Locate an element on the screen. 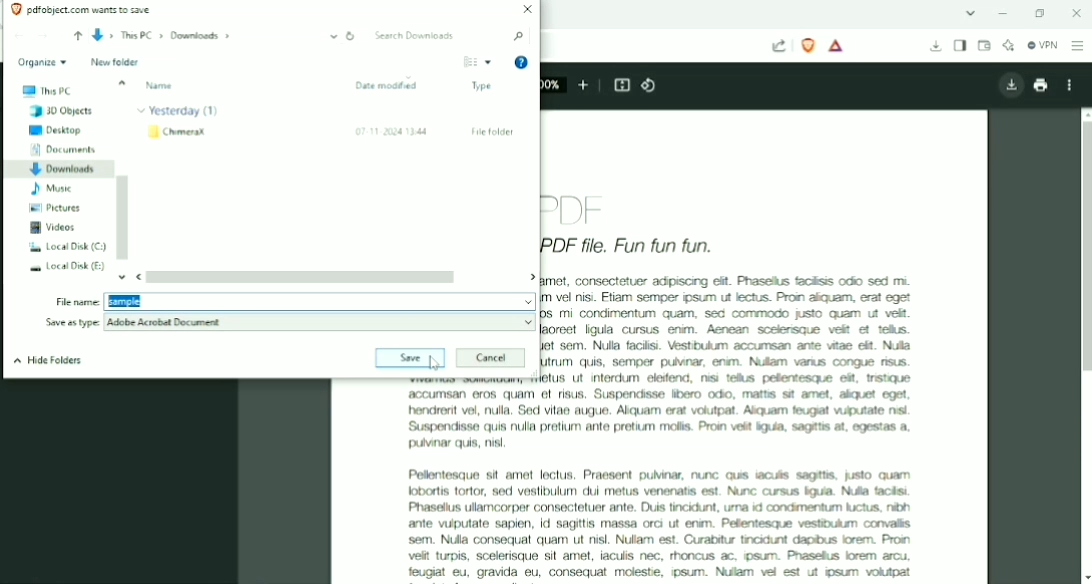 The image size is (1092, 584). Local Disk (C:) is located at coordinates (65, 246).